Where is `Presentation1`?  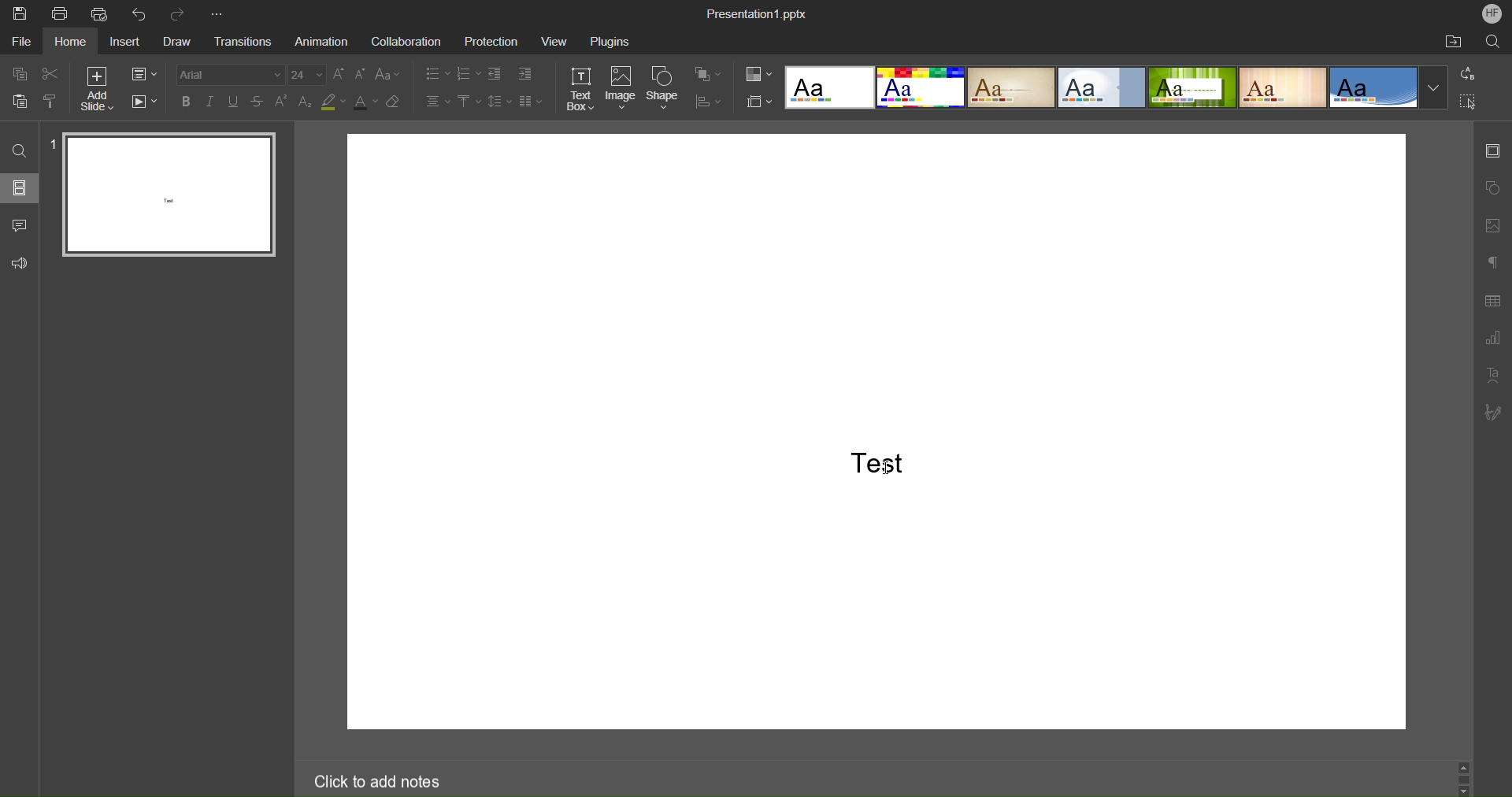
Presentation1 is located at coordinates (758, 15).